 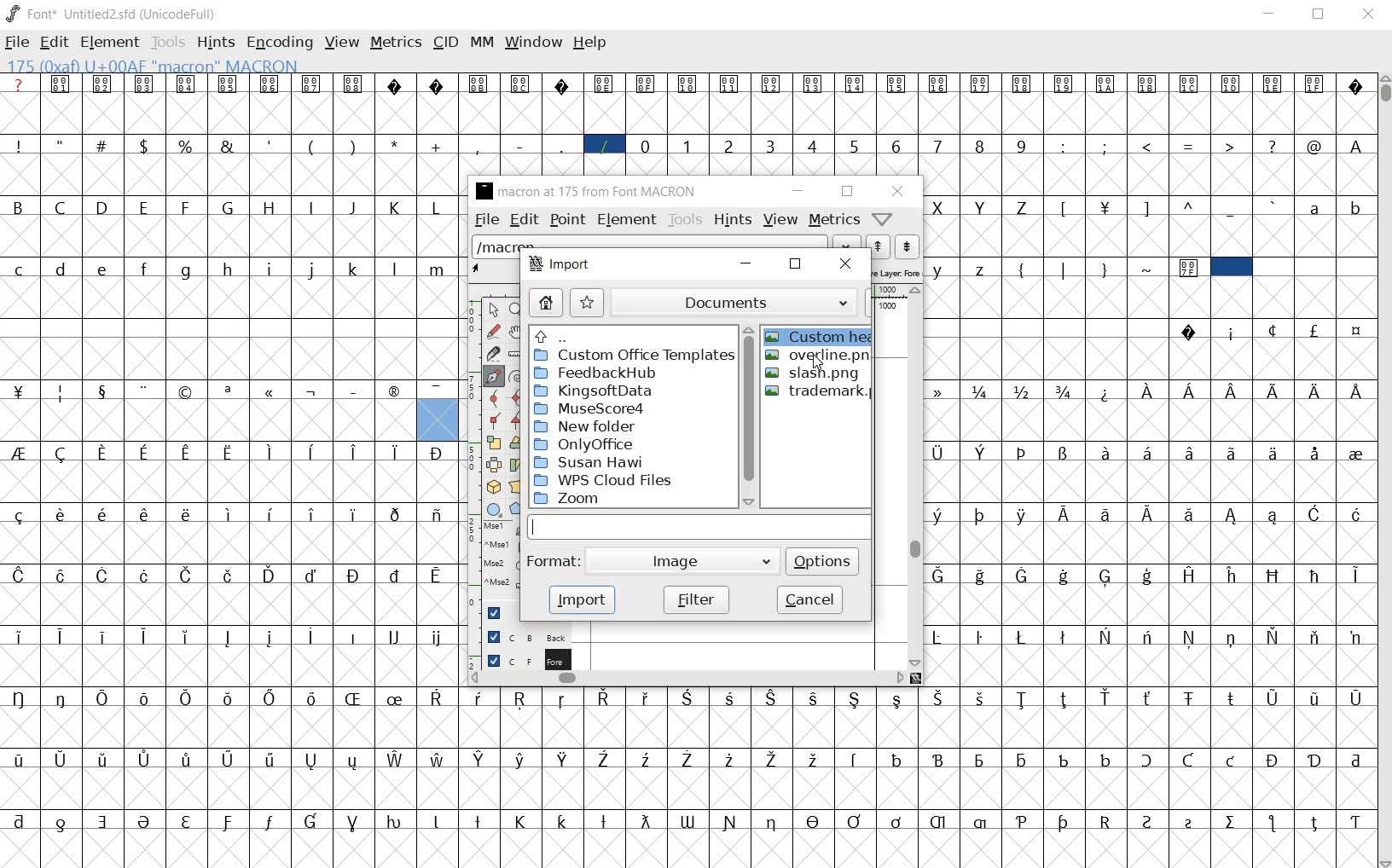 I want to click on Symbol, so click(x=1230, y=698).